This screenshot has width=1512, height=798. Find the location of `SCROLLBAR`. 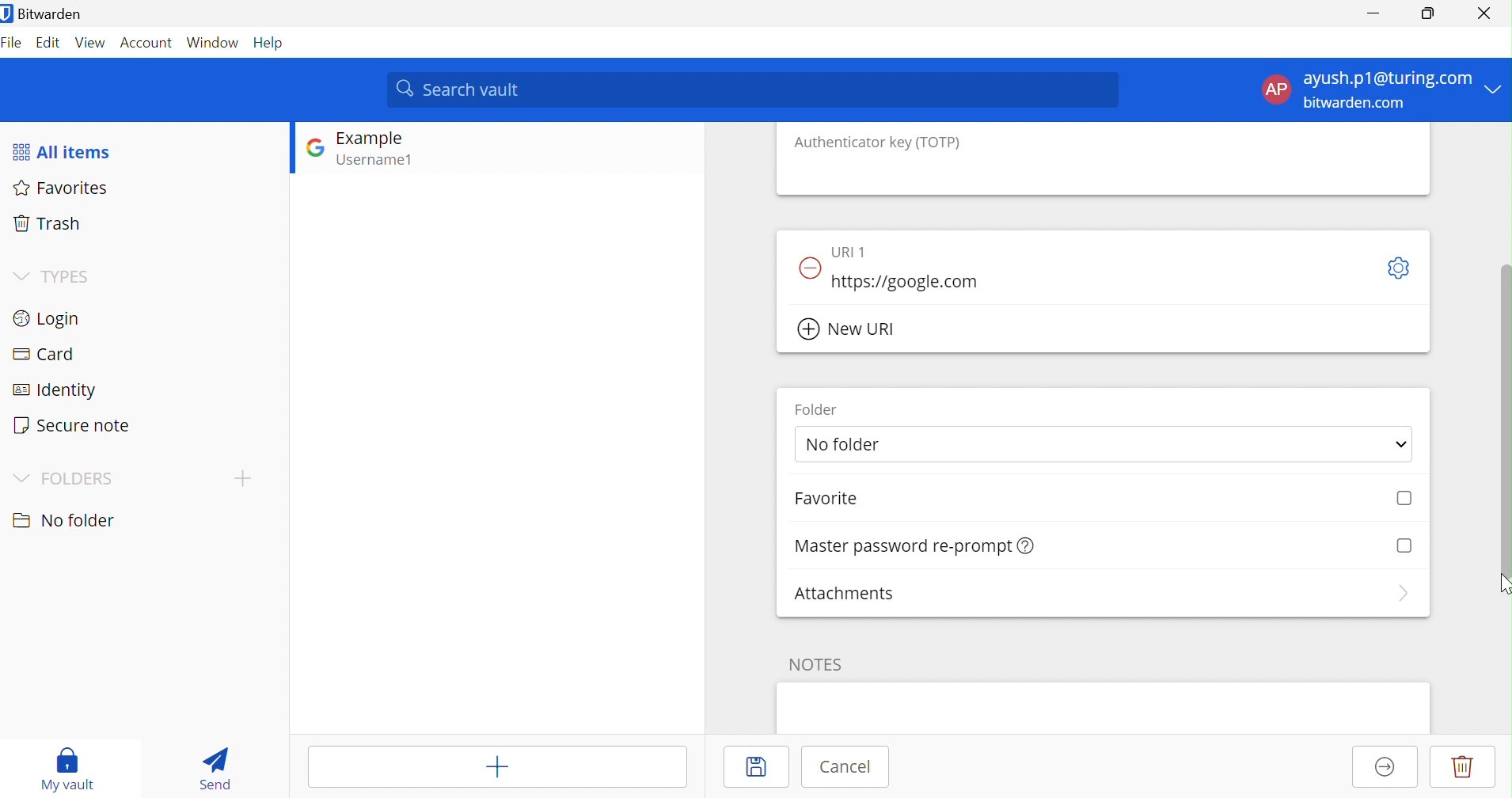

SCROLLBAR is located at coordinates (1503, 403).